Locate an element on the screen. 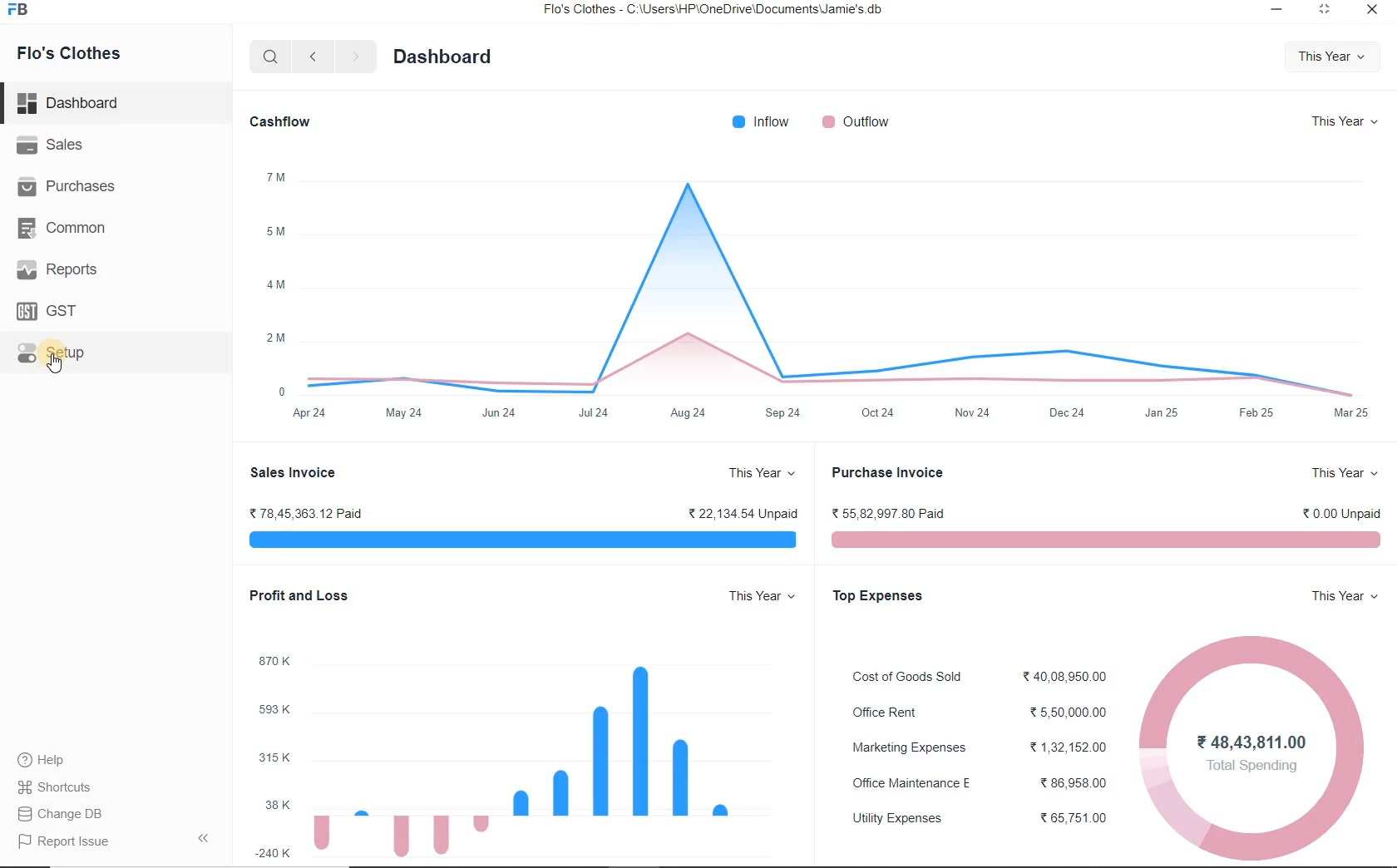 The width and height of the screenshot is (1397, 868). 1,32,152.00 is located at coordinates (1069, 747).